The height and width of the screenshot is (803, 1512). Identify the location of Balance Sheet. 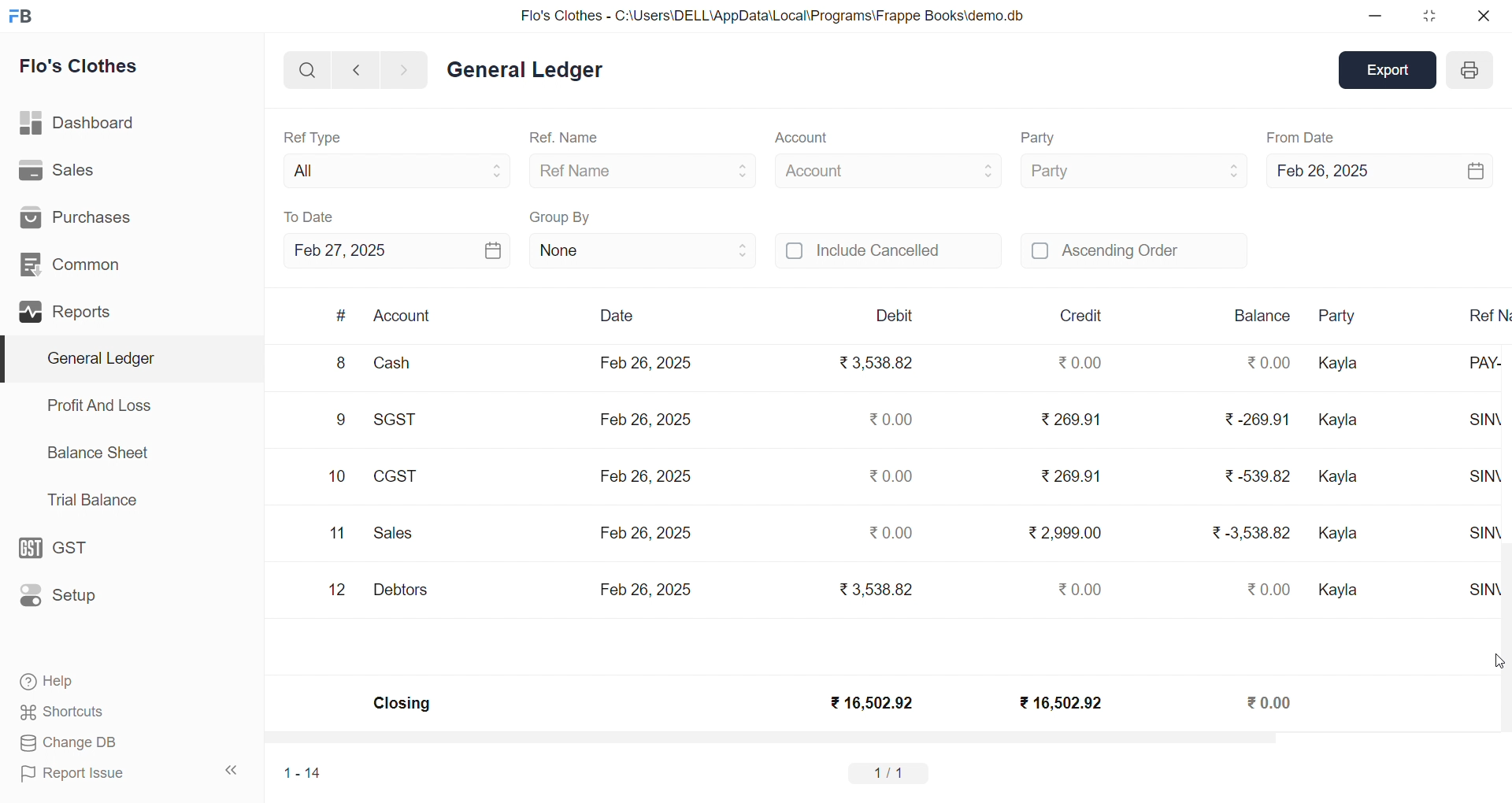
(99, 452).